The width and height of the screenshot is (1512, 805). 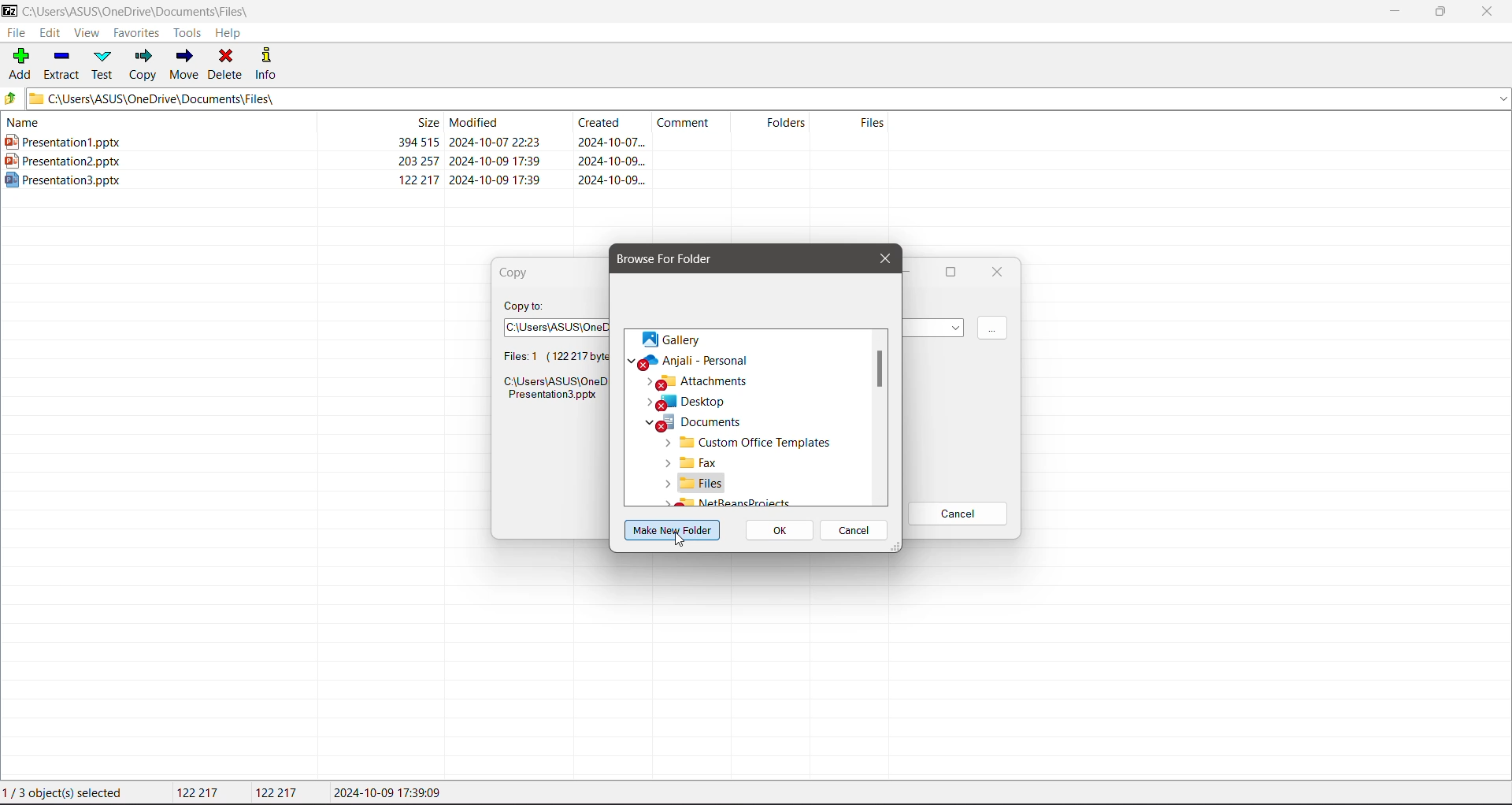 What do you see at coordinates (201, 793) in the screenshot?
I see `Total Size of selected file(s)` at bounding box center [201, 793].